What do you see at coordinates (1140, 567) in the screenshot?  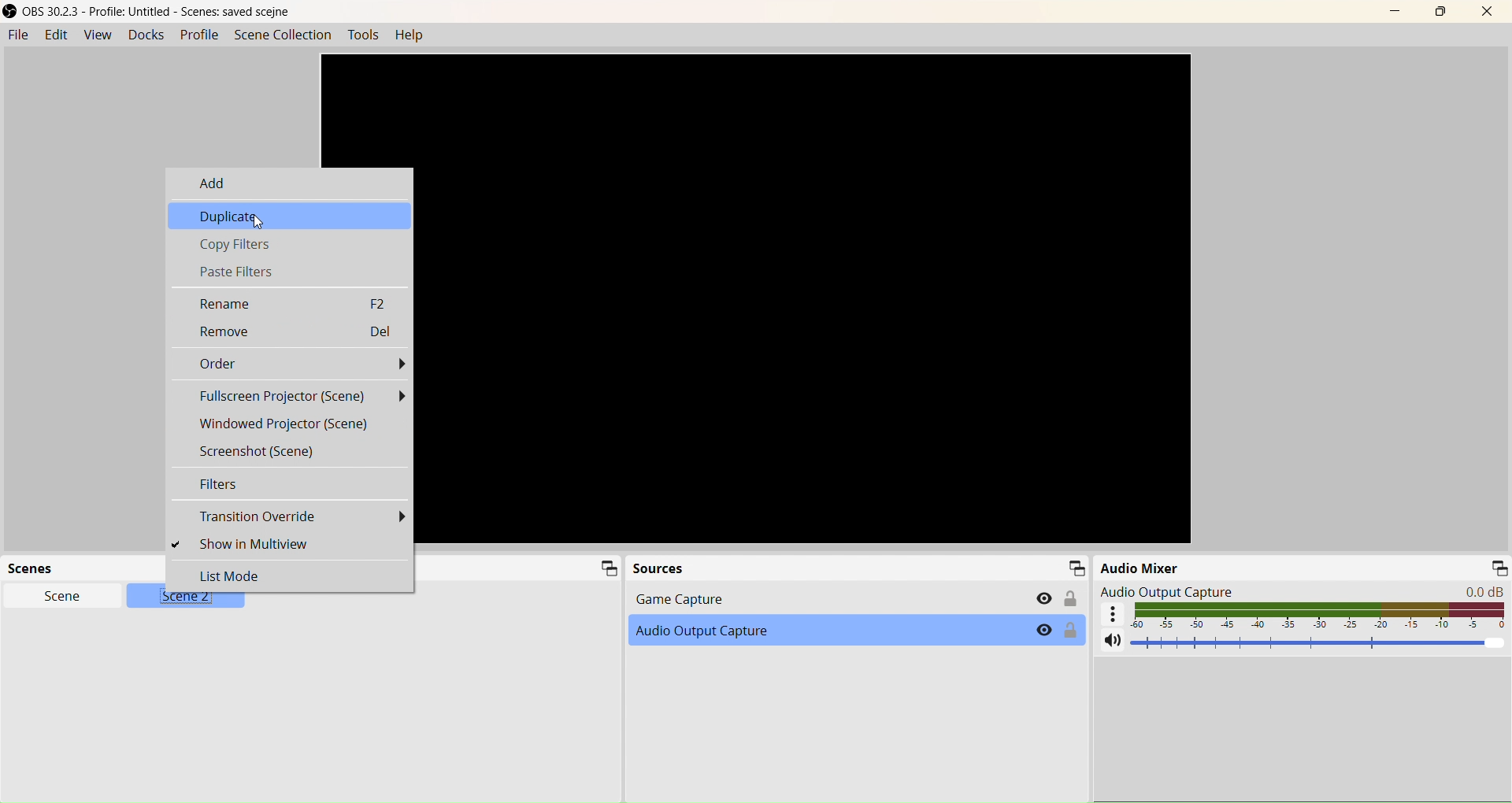 I see `Audio Mixer` at bounding box center [1140, 567].